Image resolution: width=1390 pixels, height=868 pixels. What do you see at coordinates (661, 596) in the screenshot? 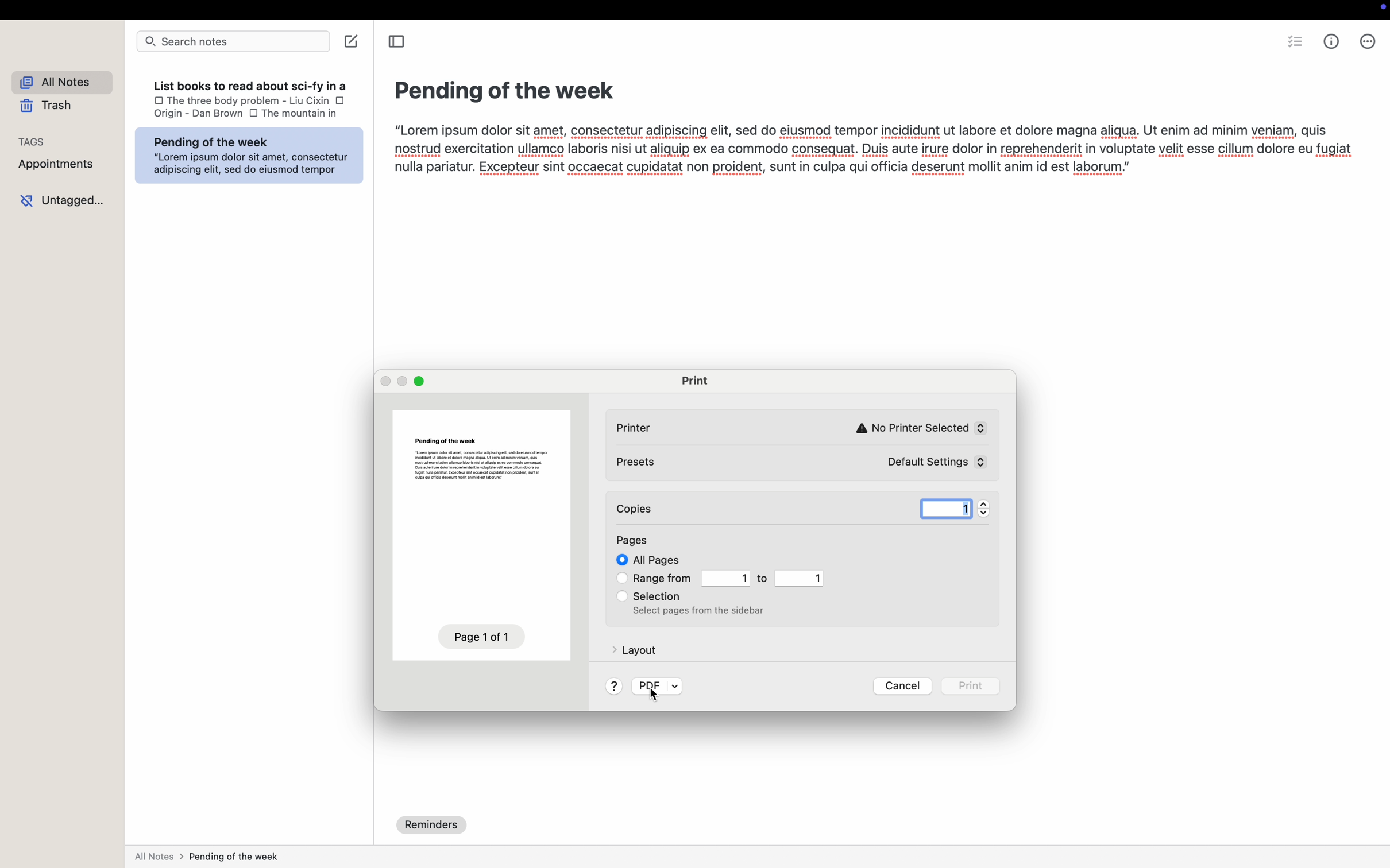
I see `selection` at bounding box center [661, 596].